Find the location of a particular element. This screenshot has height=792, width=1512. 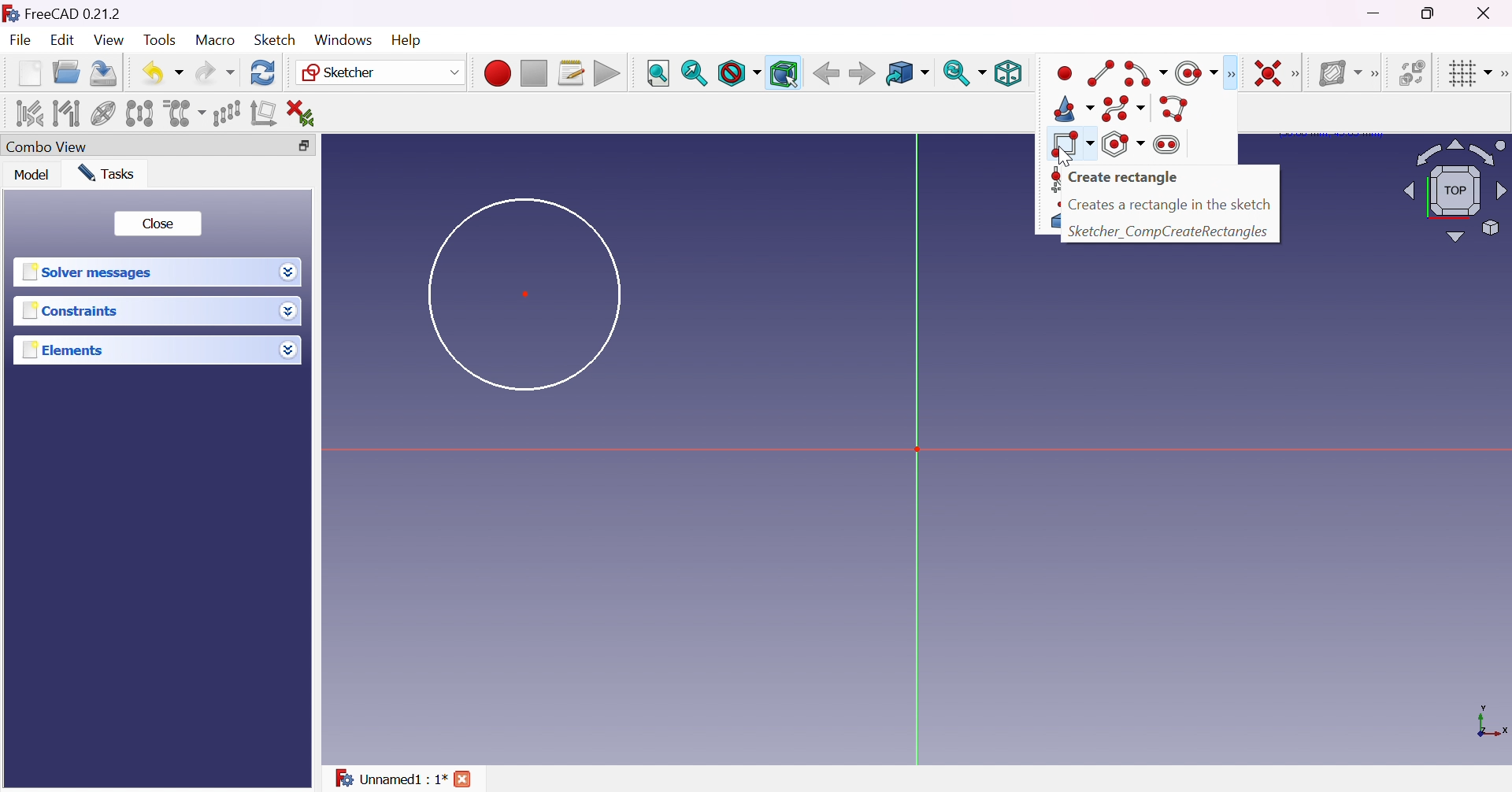

Draw style is located at coordinates (739, 74).